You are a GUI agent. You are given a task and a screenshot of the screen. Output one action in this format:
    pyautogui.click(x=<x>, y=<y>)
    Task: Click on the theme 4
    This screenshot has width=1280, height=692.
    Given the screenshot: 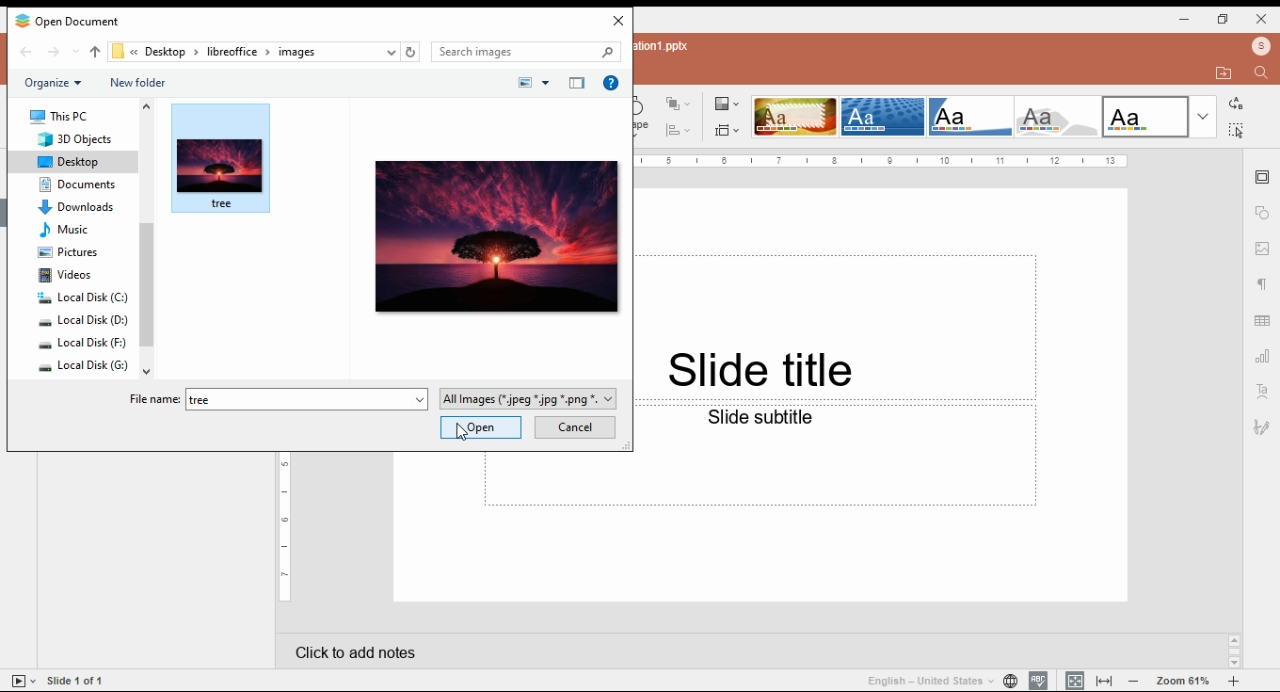 What is the action you would take?
    pyautogui.click(x=1056, y=117)
    